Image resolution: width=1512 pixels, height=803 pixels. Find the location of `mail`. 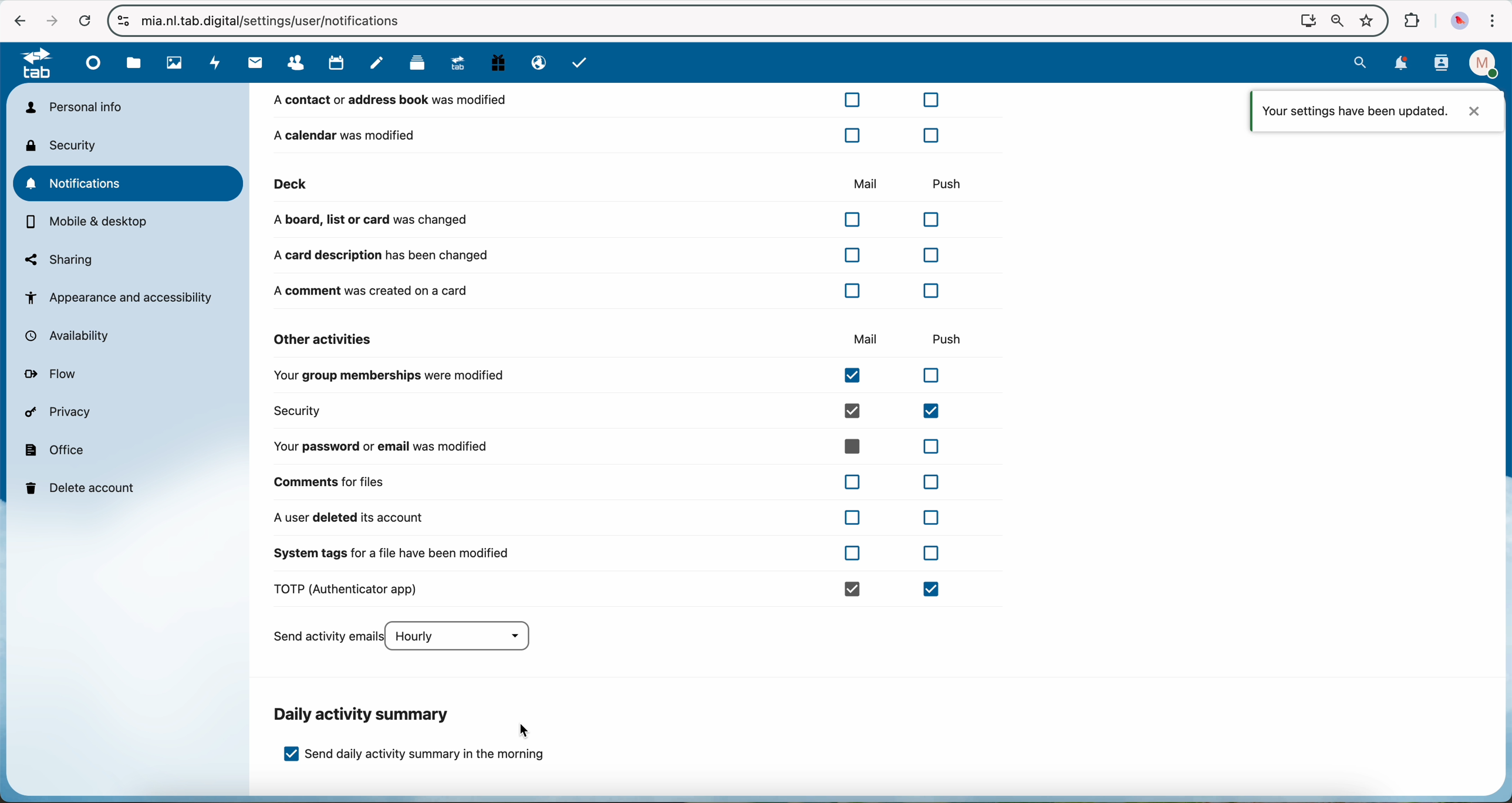

mail is located at coordinates (866, 340).